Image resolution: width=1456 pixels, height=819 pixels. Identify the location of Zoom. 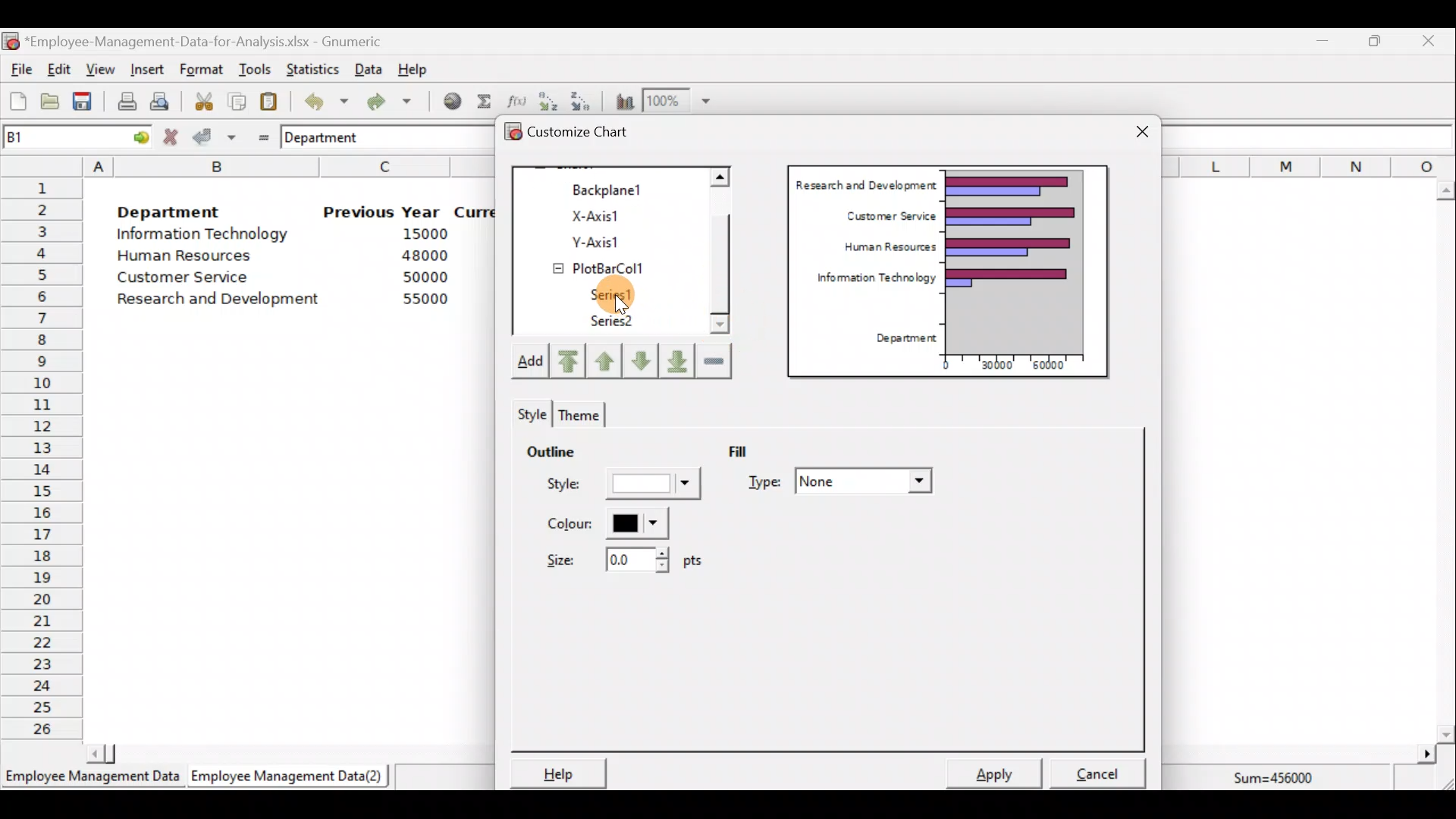
(678, 101).